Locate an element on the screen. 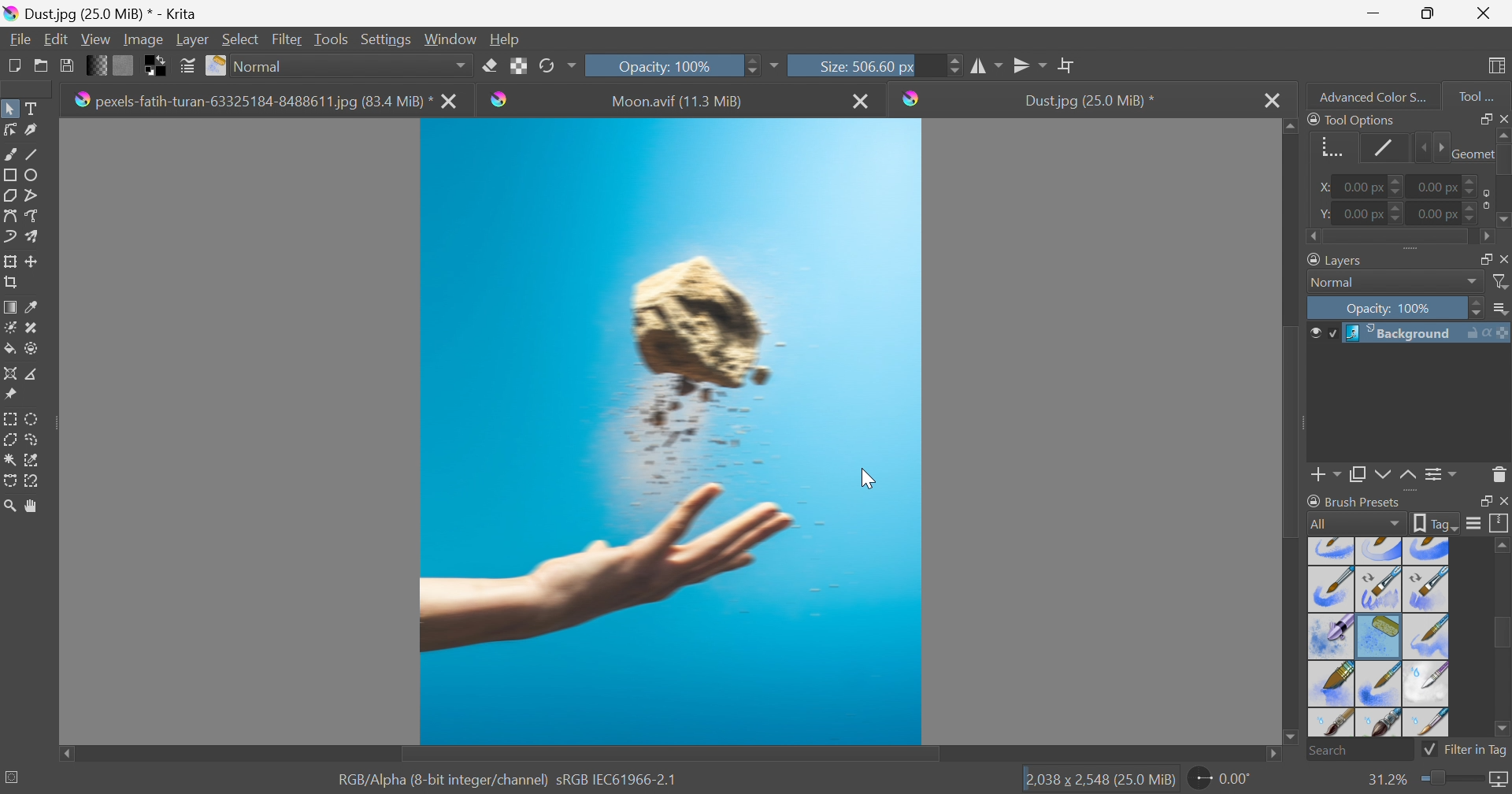  Drop Down is located at coordinates (1473, 282).